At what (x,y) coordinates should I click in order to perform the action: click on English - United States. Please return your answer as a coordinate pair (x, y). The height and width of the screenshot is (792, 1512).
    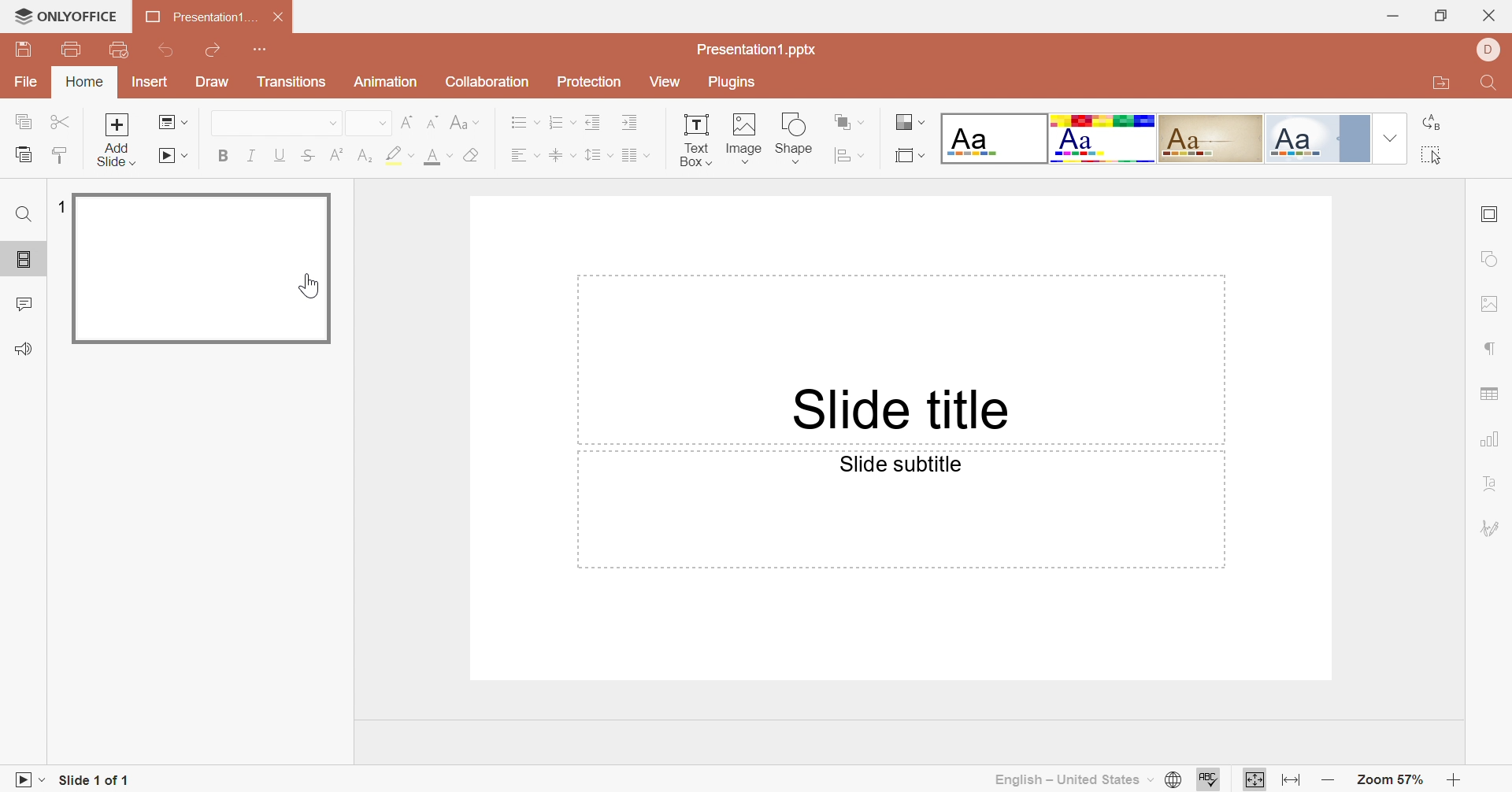
    Looking at the image, I should click on (1064, 781).